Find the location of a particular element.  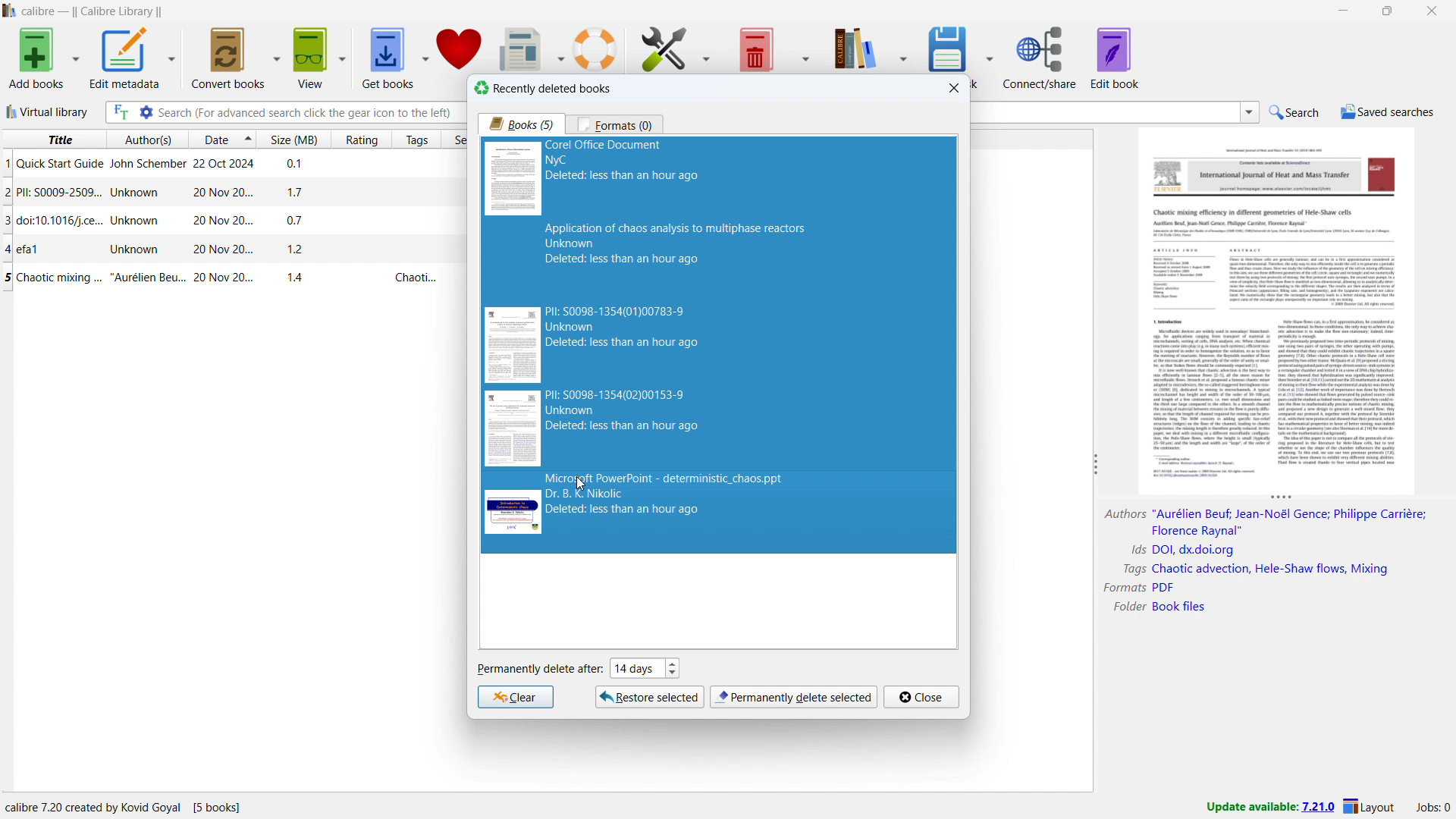

edit metadata is located at coordinates (124, 58).